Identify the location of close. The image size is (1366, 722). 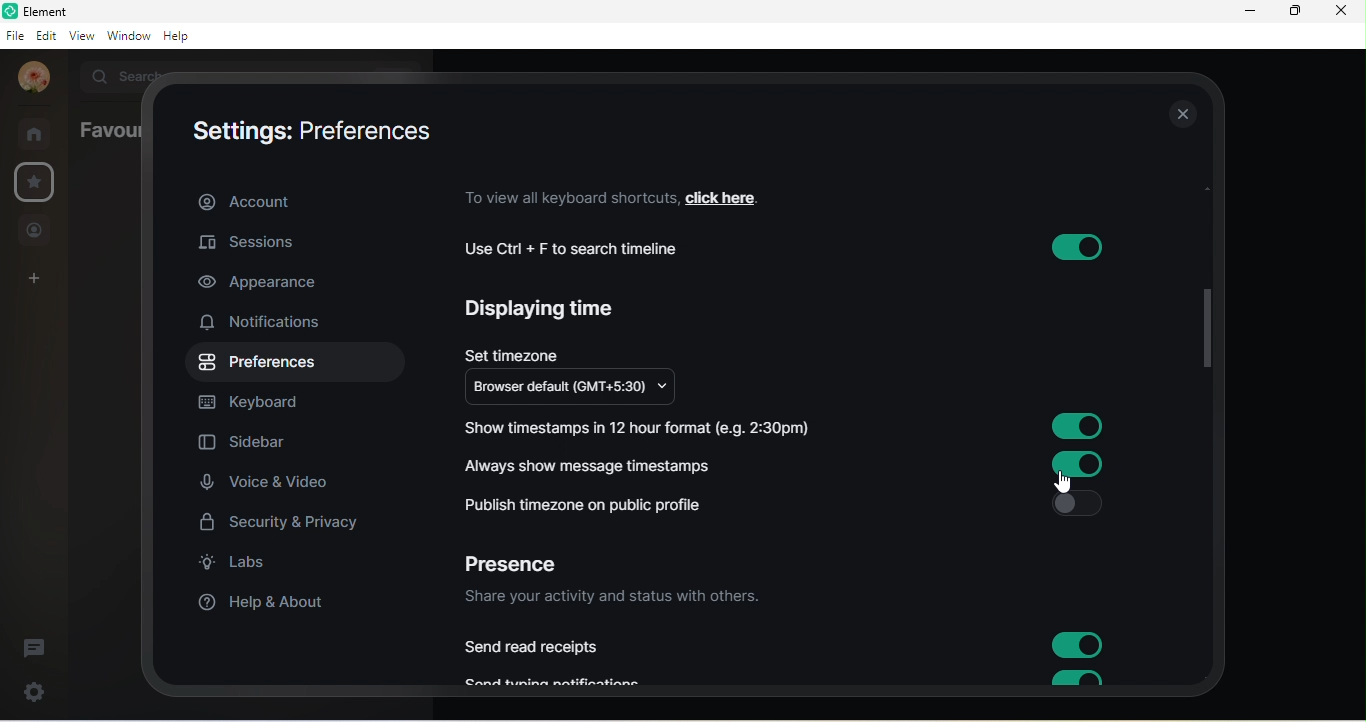
(1346, 14).